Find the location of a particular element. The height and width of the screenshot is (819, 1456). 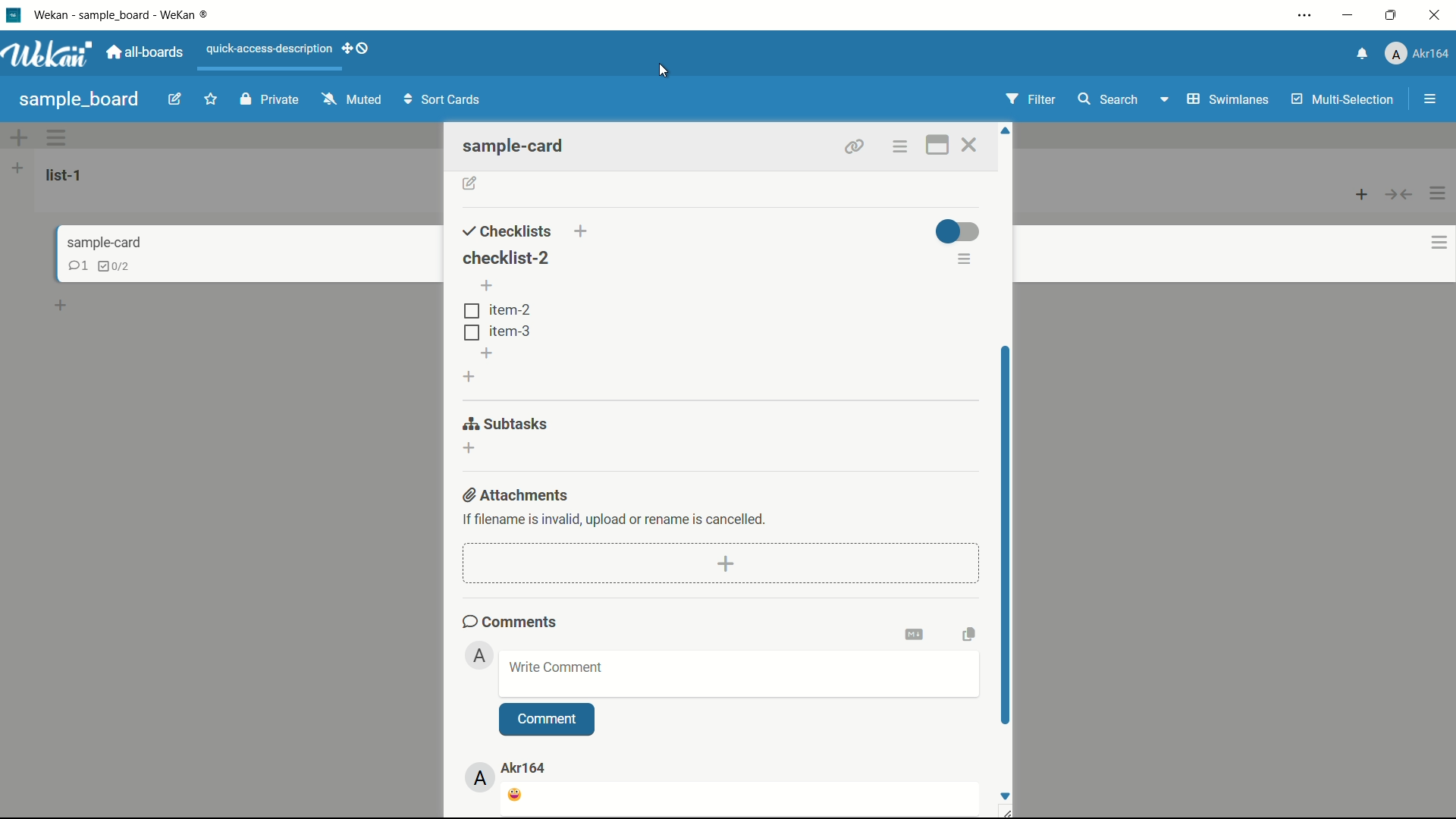

comments is located at coordinates (510, 621).